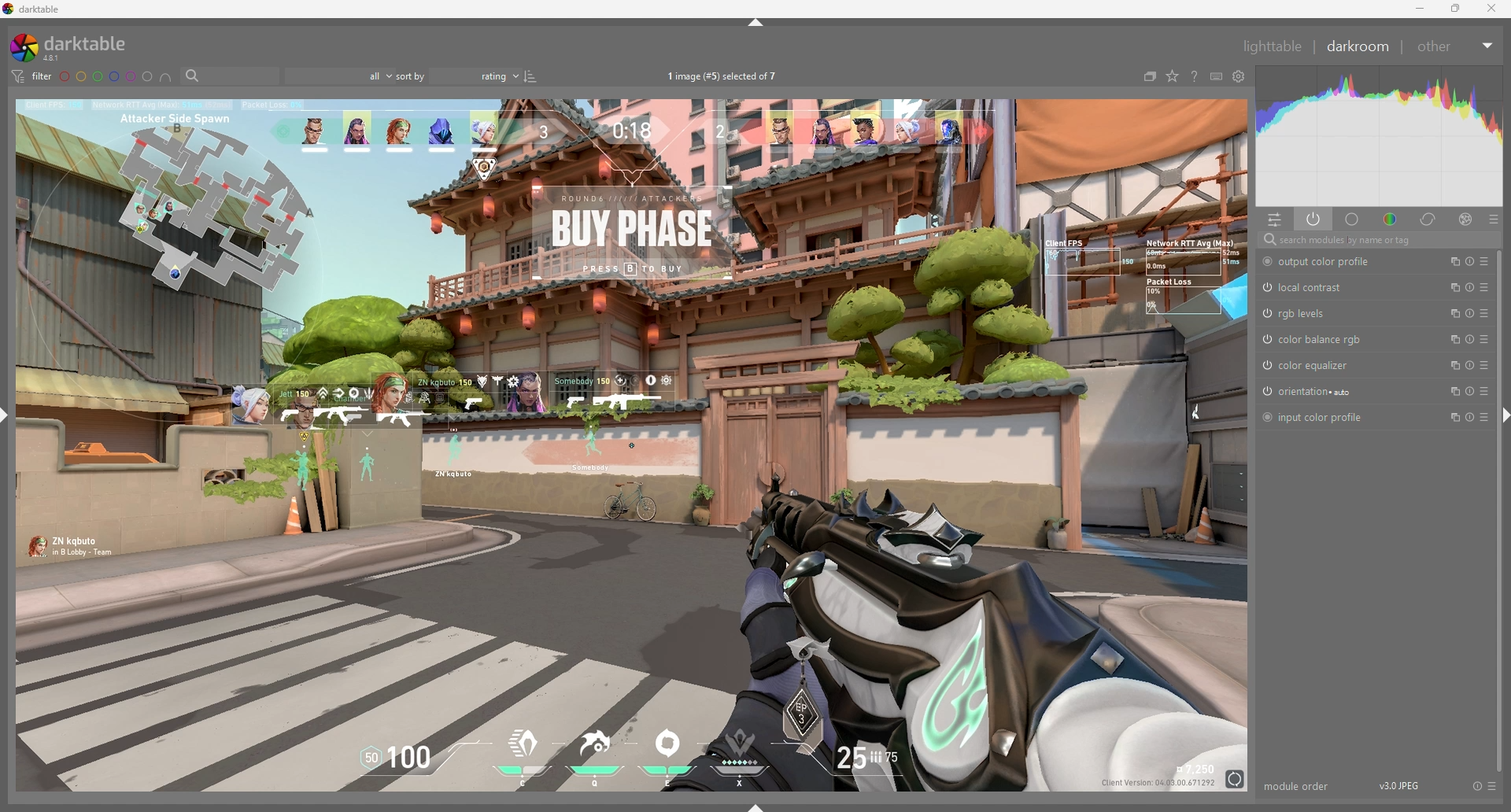 This screenshot has width=1511, height=812. What do you see at coordinates (31, 76) in the screenshot?
I see `filter` at bounding box center [31, 76].